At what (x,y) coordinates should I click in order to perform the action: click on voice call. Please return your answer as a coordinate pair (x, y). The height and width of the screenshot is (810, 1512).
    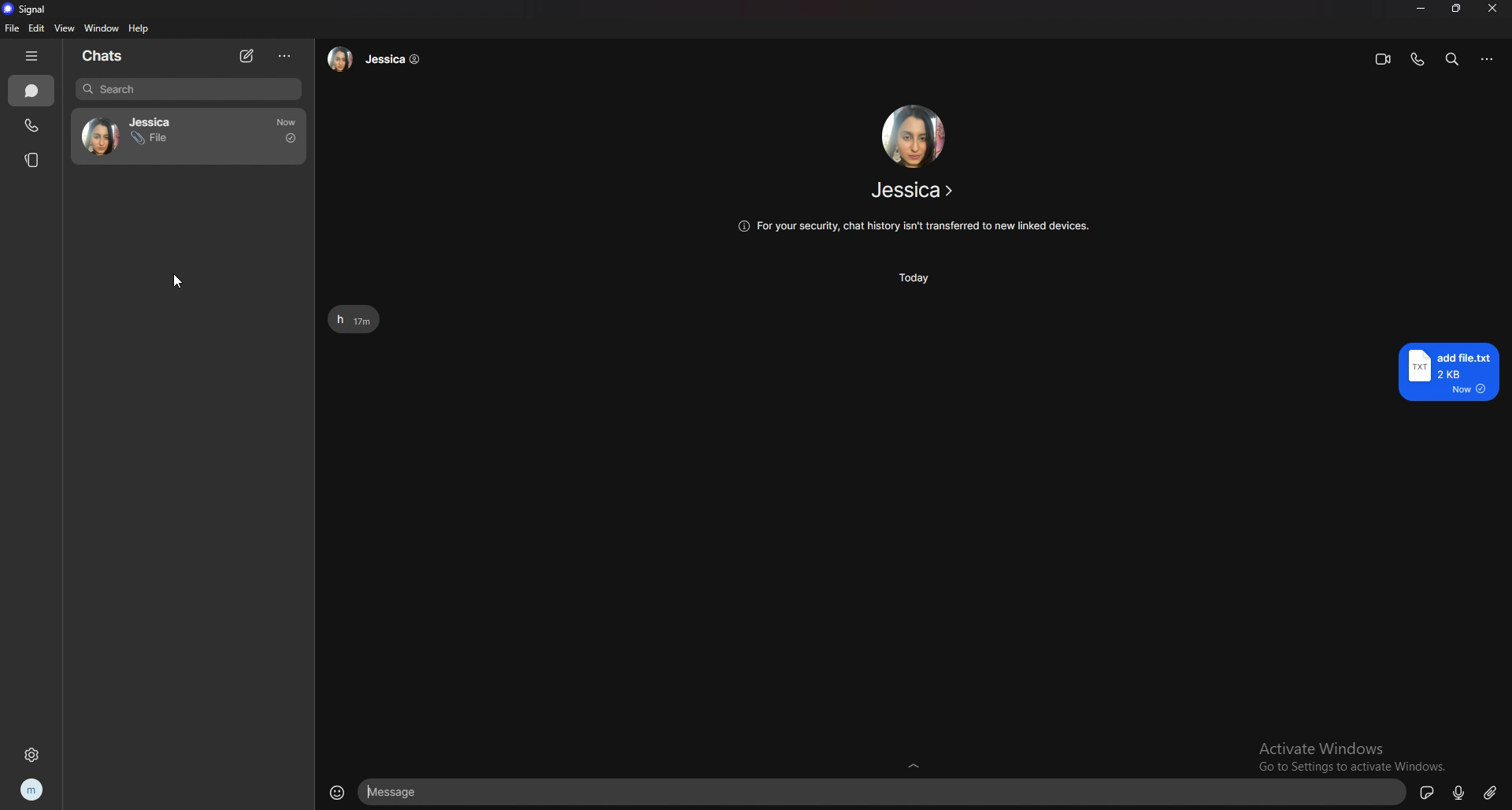
    Looking at the image, I should click on (1417, 59).